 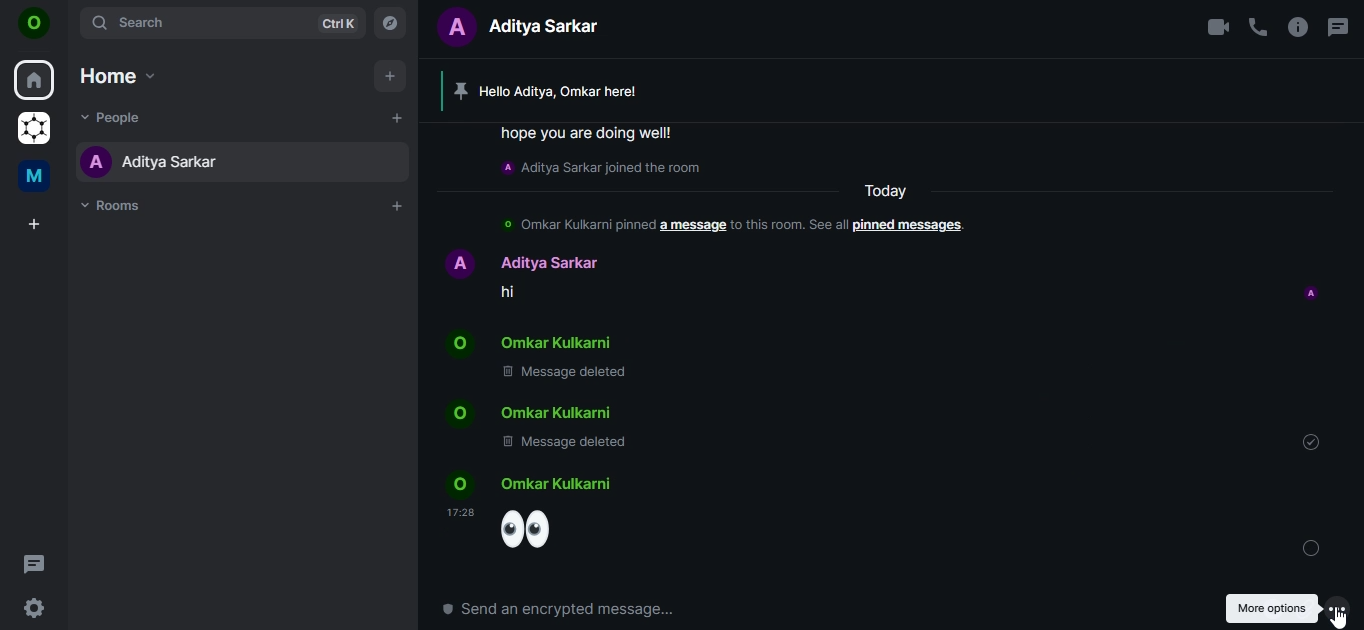 What do you see at coordinates (1298, 26) in the screenshot?
I see `room info` at bounding box center [1298, 26].